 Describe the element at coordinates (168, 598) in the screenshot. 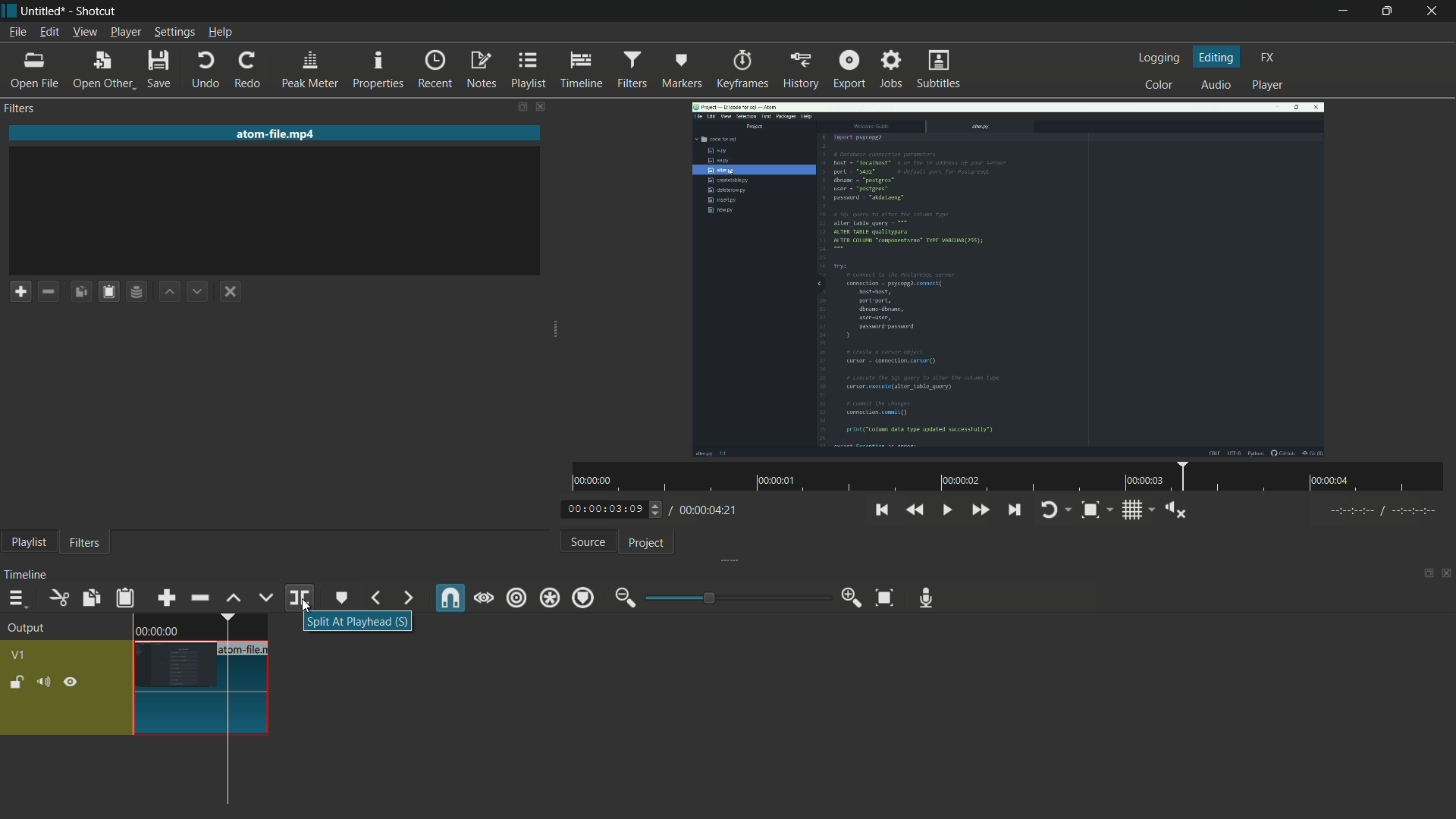

I see `append` at that location.